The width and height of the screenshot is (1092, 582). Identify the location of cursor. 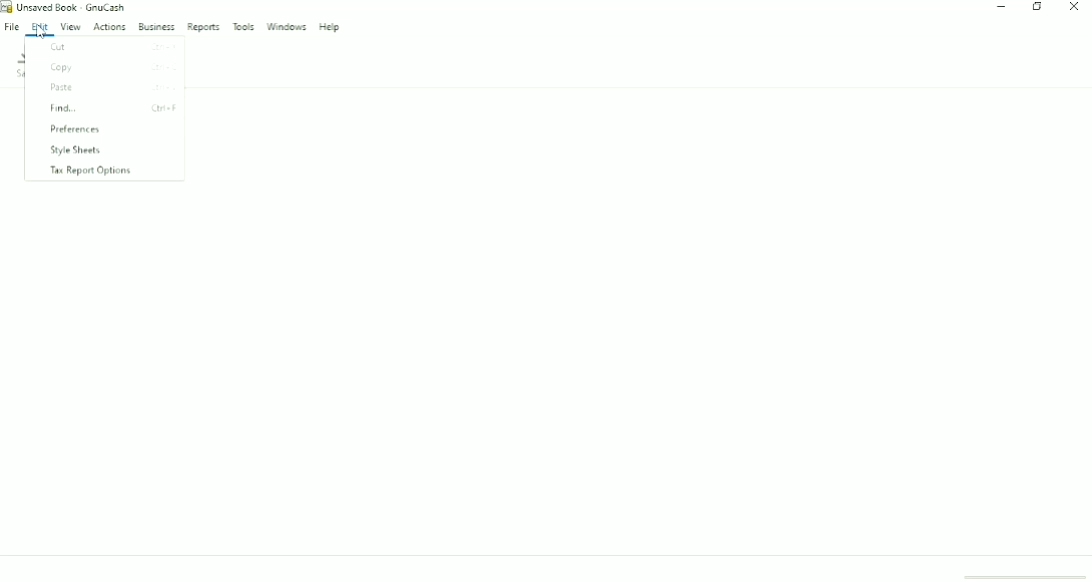
(40, 30).